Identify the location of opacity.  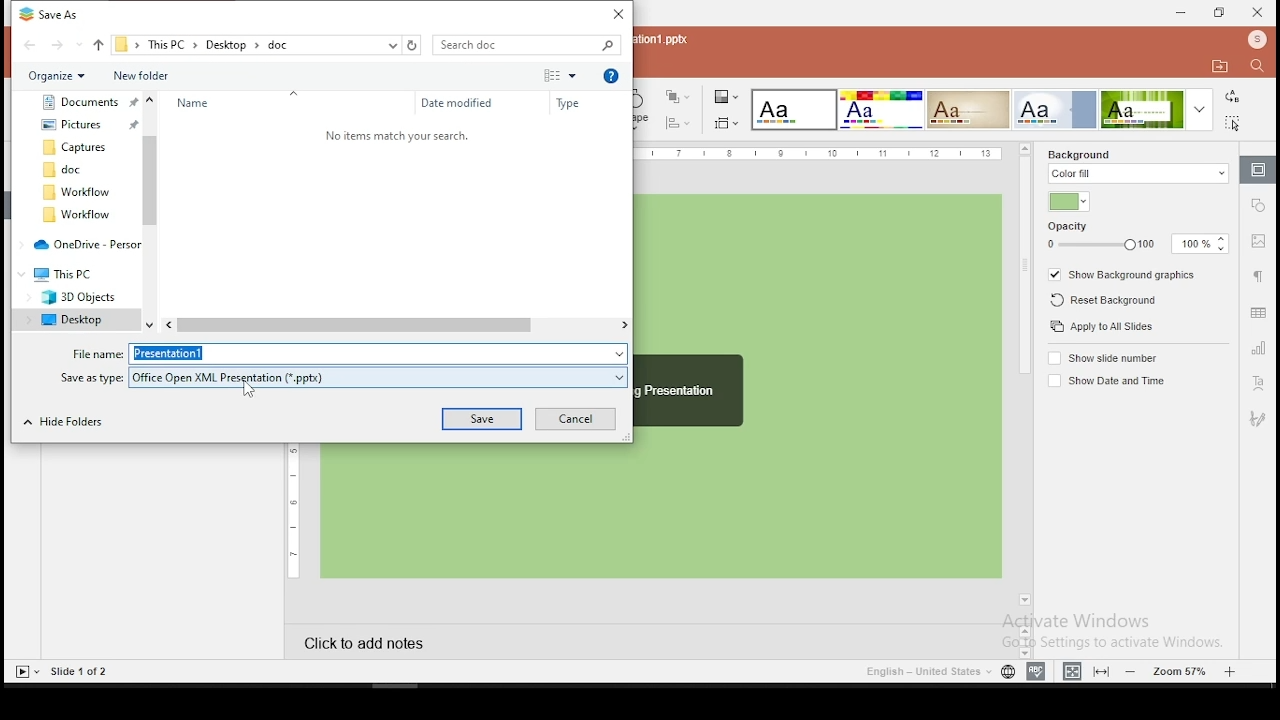
(1069, 227).